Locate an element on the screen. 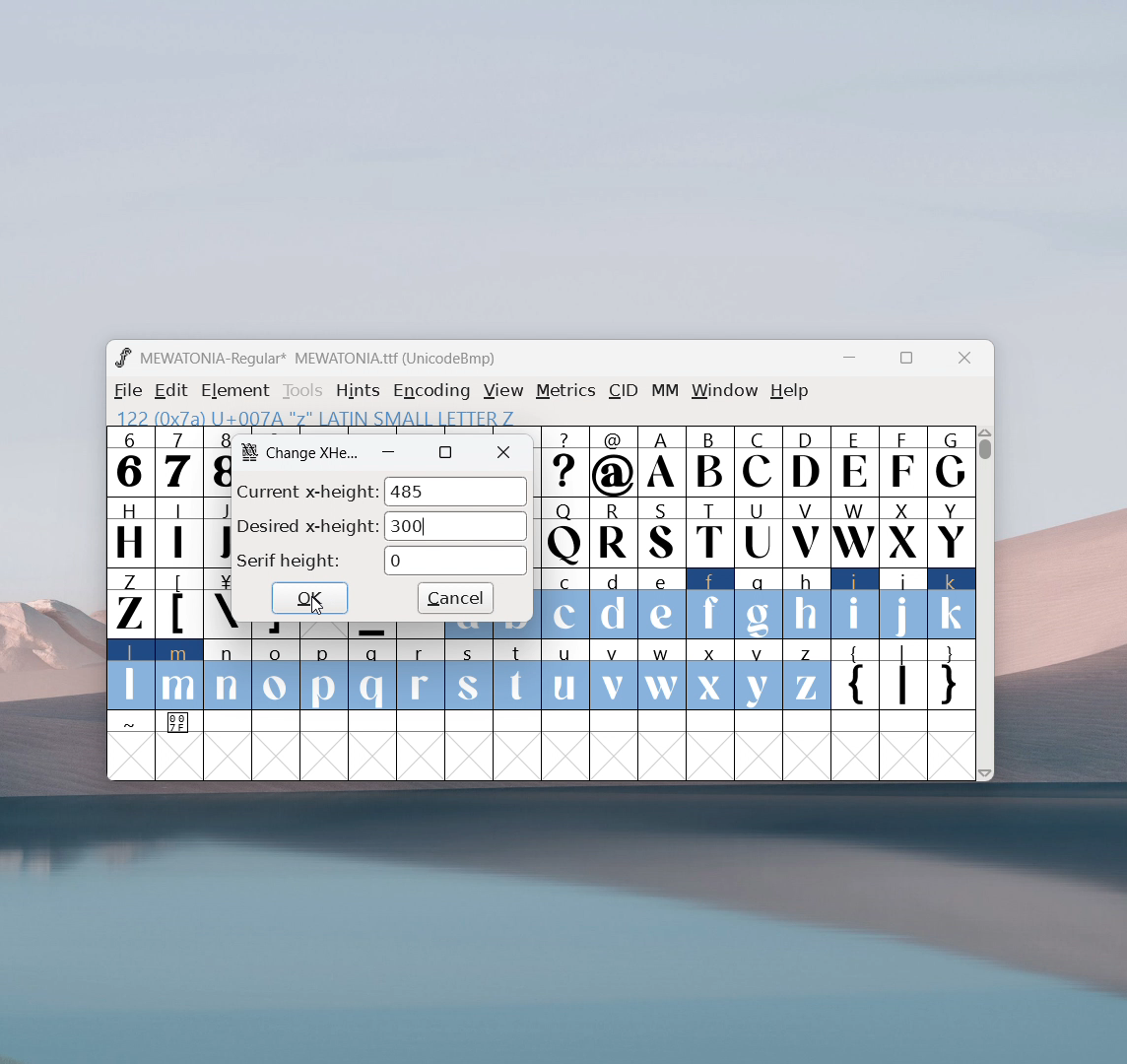  x is located at coordinates (711, 674).